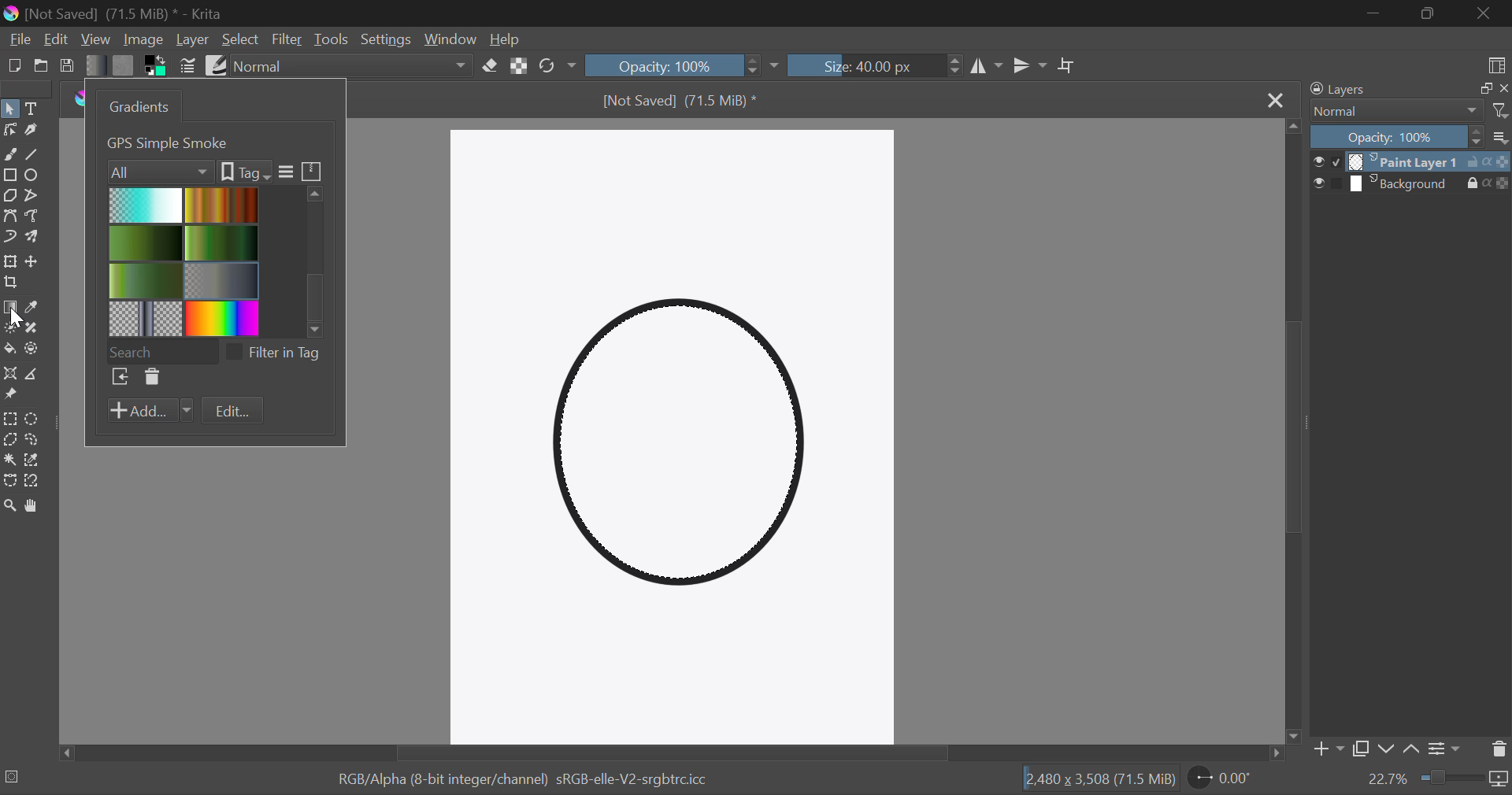 This screenshot has height=795, width=1512. What do you see at coordinates (10, 109) in the screenshot?
I see `Select` at bounding box center [10, 109].